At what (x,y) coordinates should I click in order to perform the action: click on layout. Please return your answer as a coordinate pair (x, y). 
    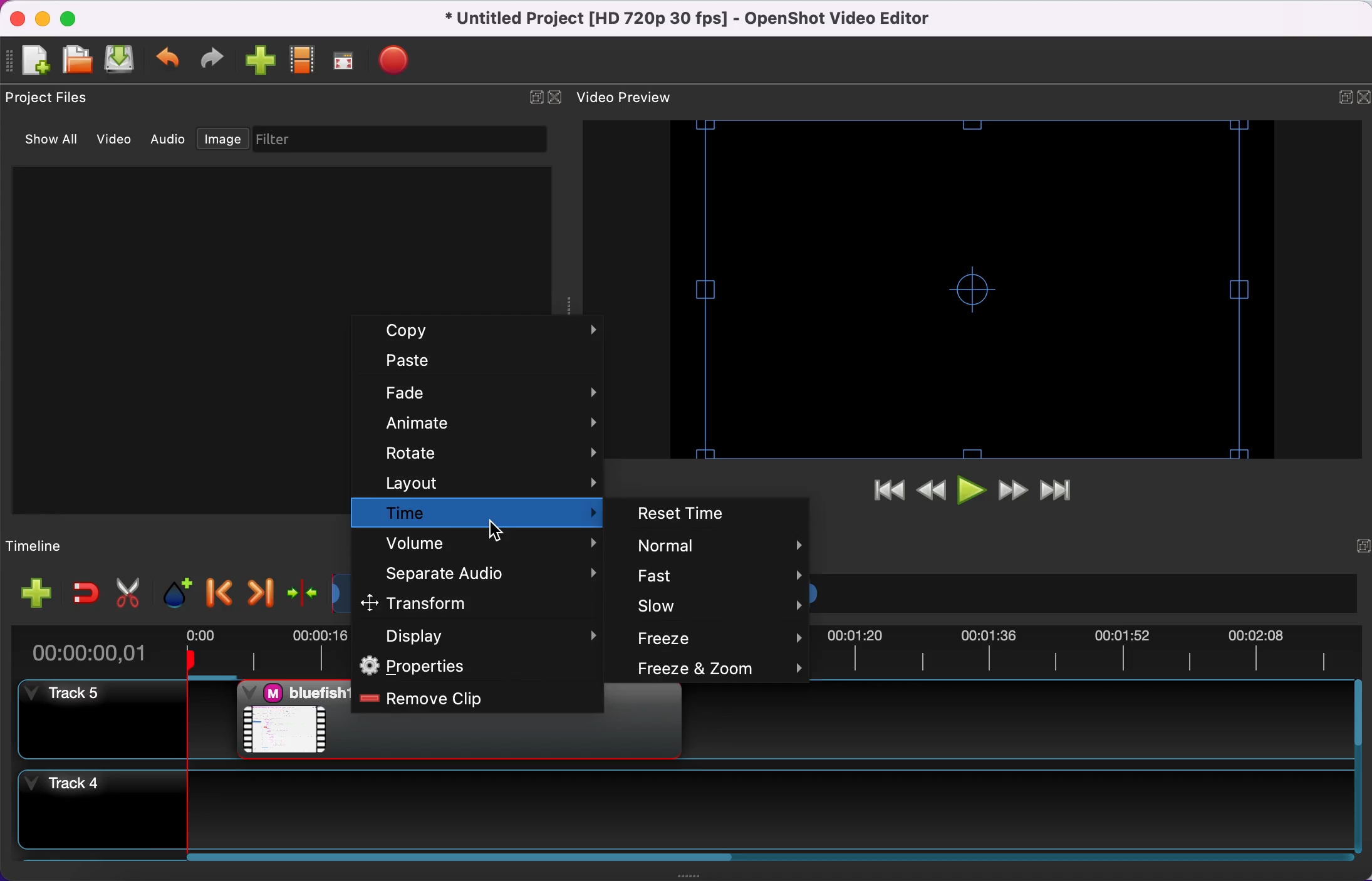
    Looking at the image, I should click on (479, 482).